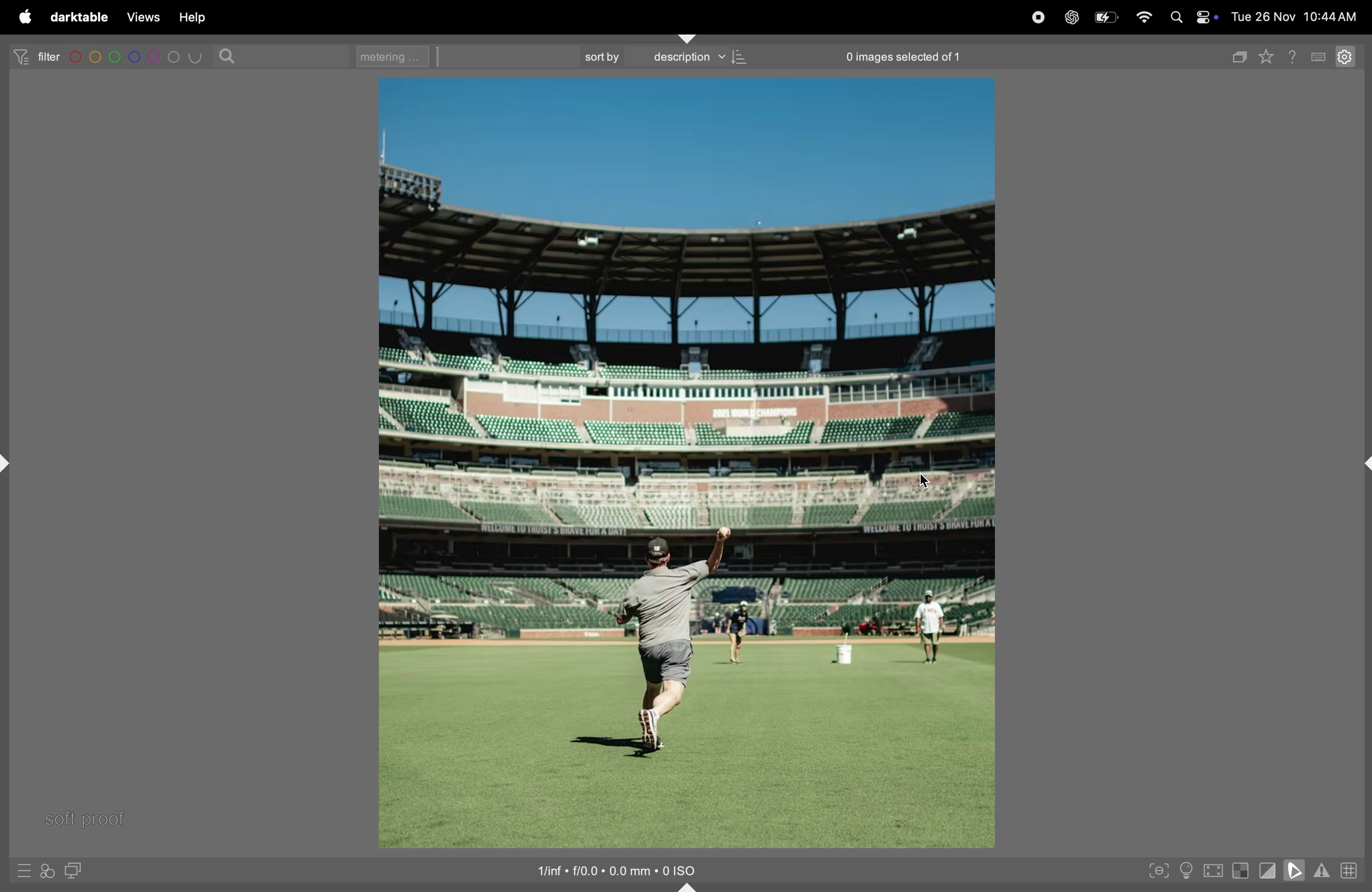  Describe the element at coordinates (1267, 869) in the screenshot. I see `toggle cliping indications` at that location.